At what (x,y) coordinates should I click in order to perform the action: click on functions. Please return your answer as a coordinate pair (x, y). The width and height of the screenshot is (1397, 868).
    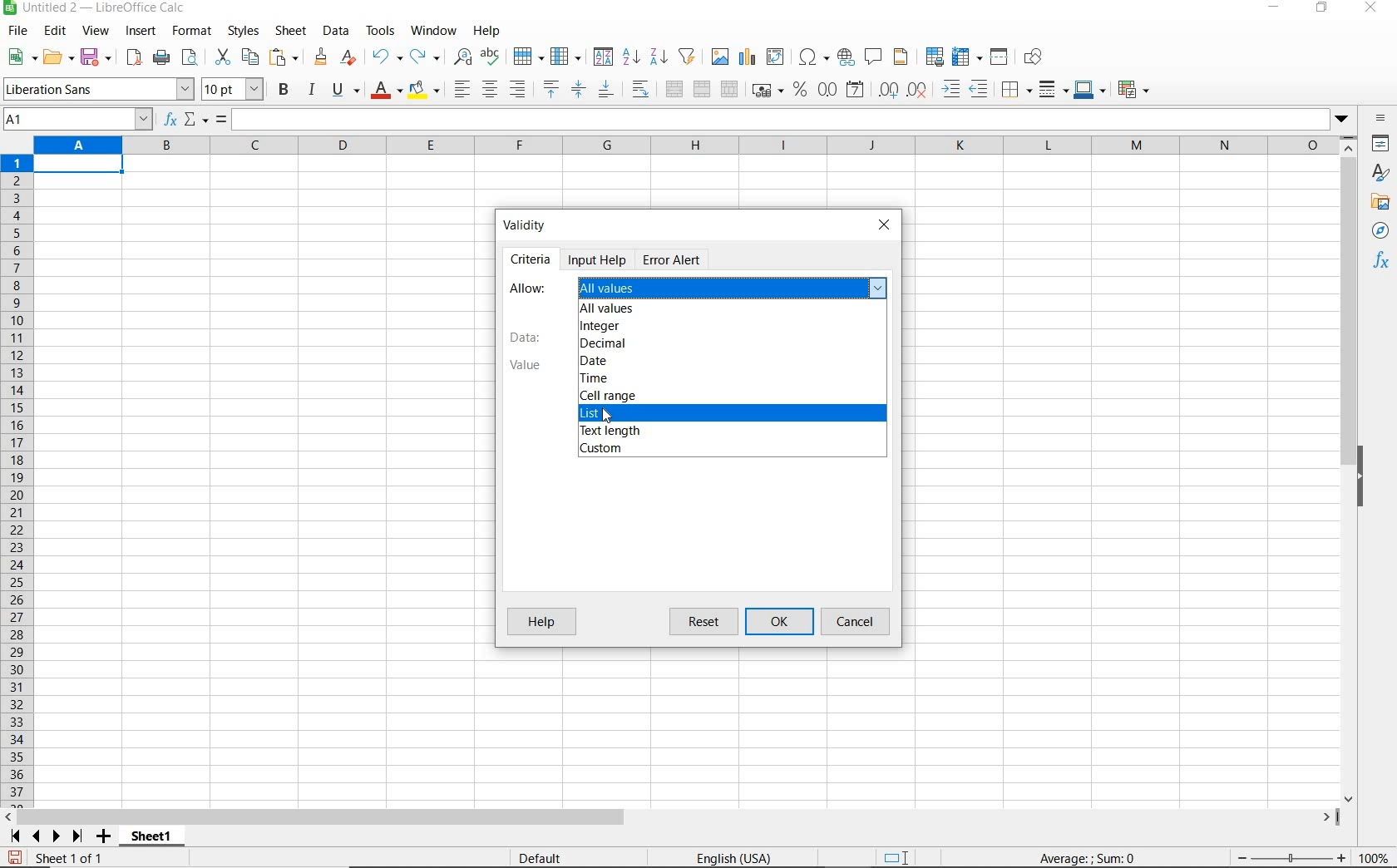
    Looking at the image, I should click on (1384, 262).